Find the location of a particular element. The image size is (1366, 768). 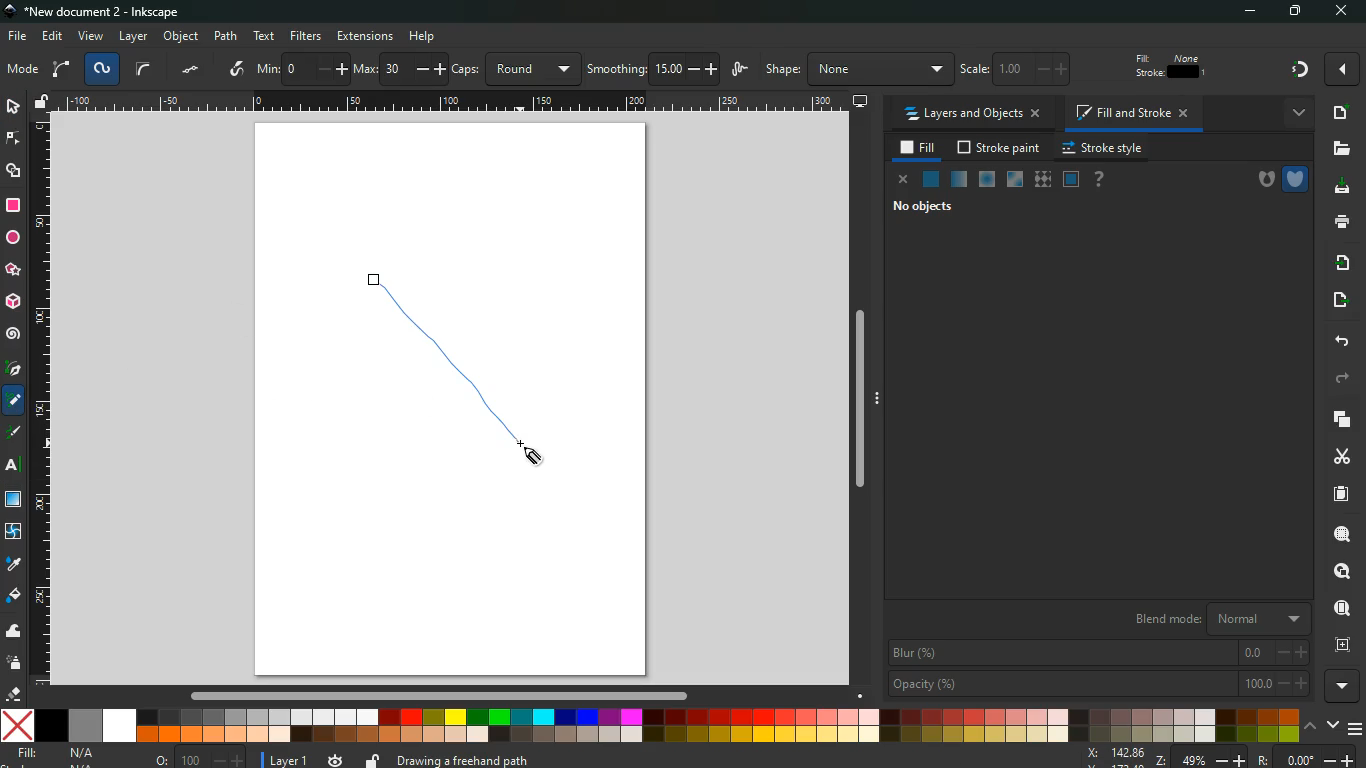

more is located at coordinates (1300, 116).